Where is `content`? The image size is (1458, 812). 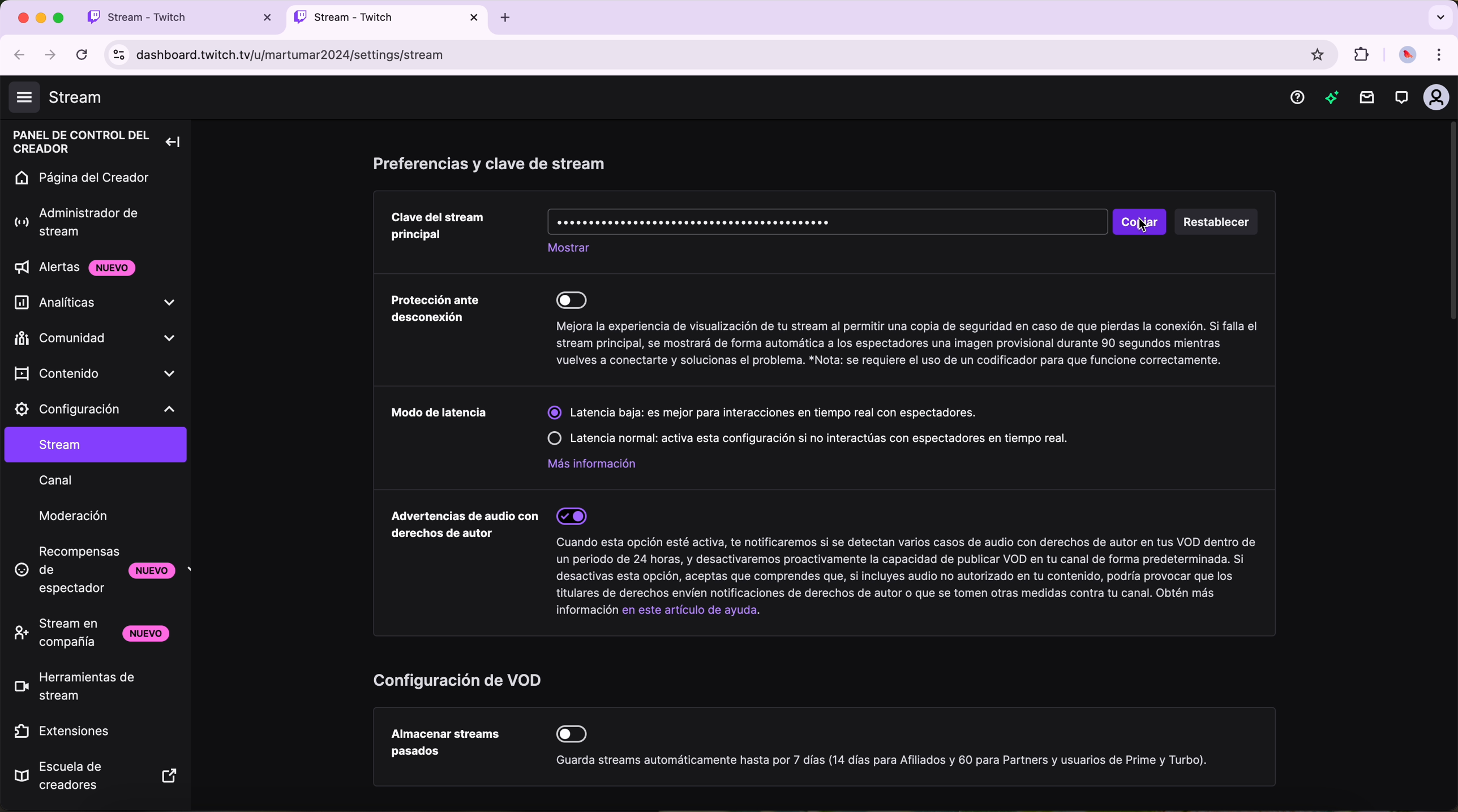
content is located at coordinates (94, 372).